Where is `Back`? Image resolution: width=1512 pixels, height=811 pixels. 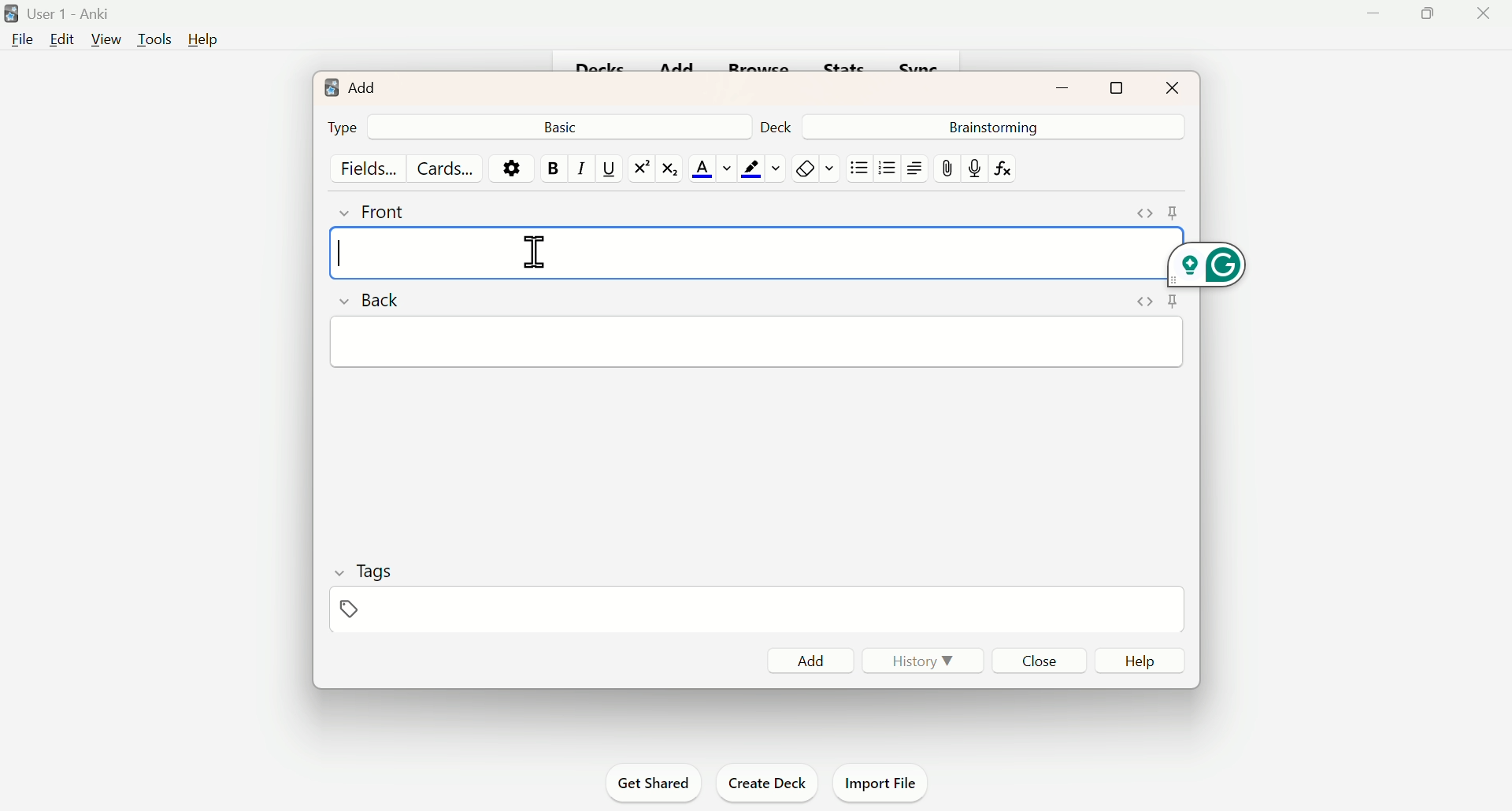 Back is located at coordinates (374, 298).